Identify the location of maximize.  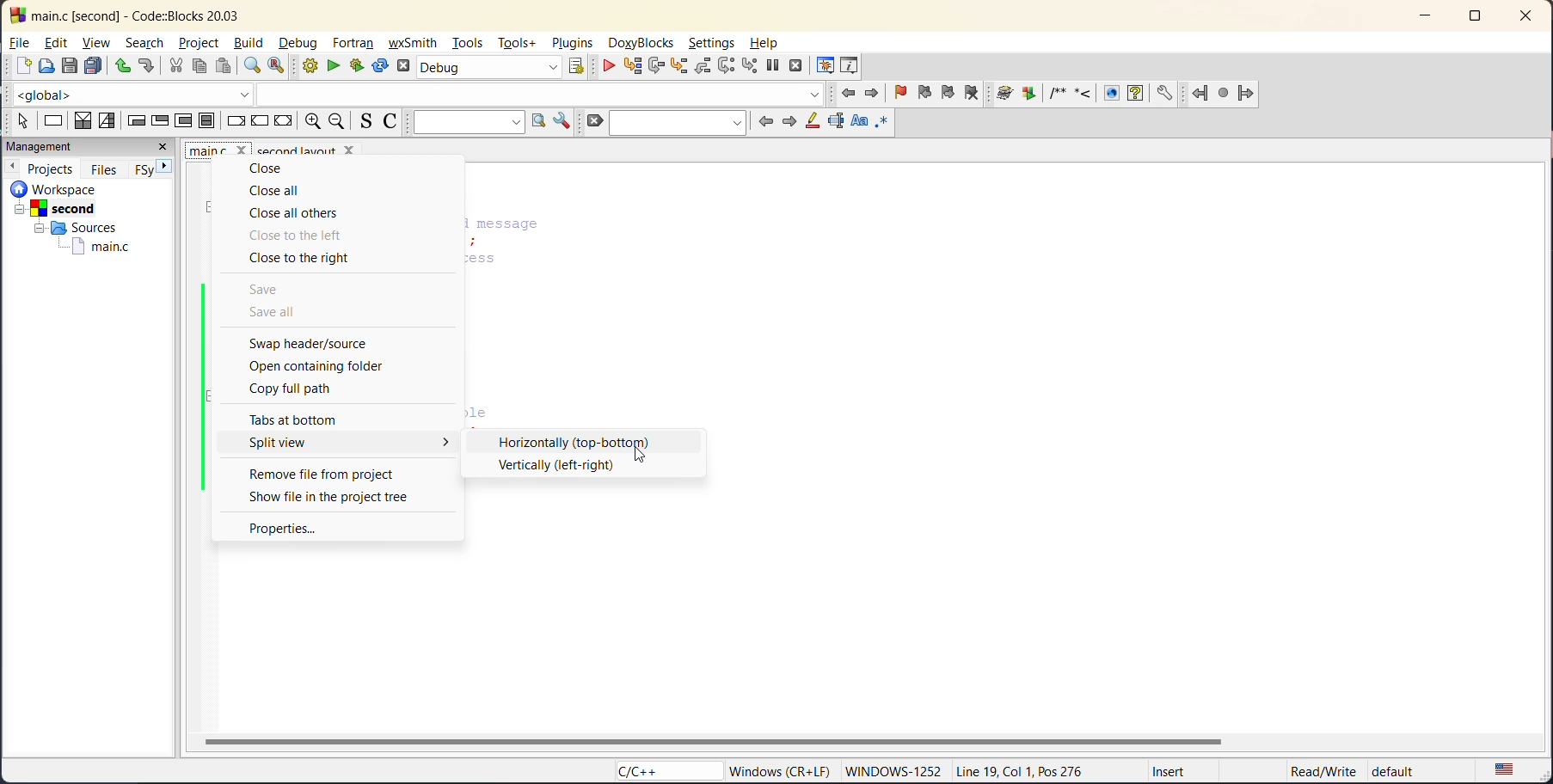
(1479, 17).